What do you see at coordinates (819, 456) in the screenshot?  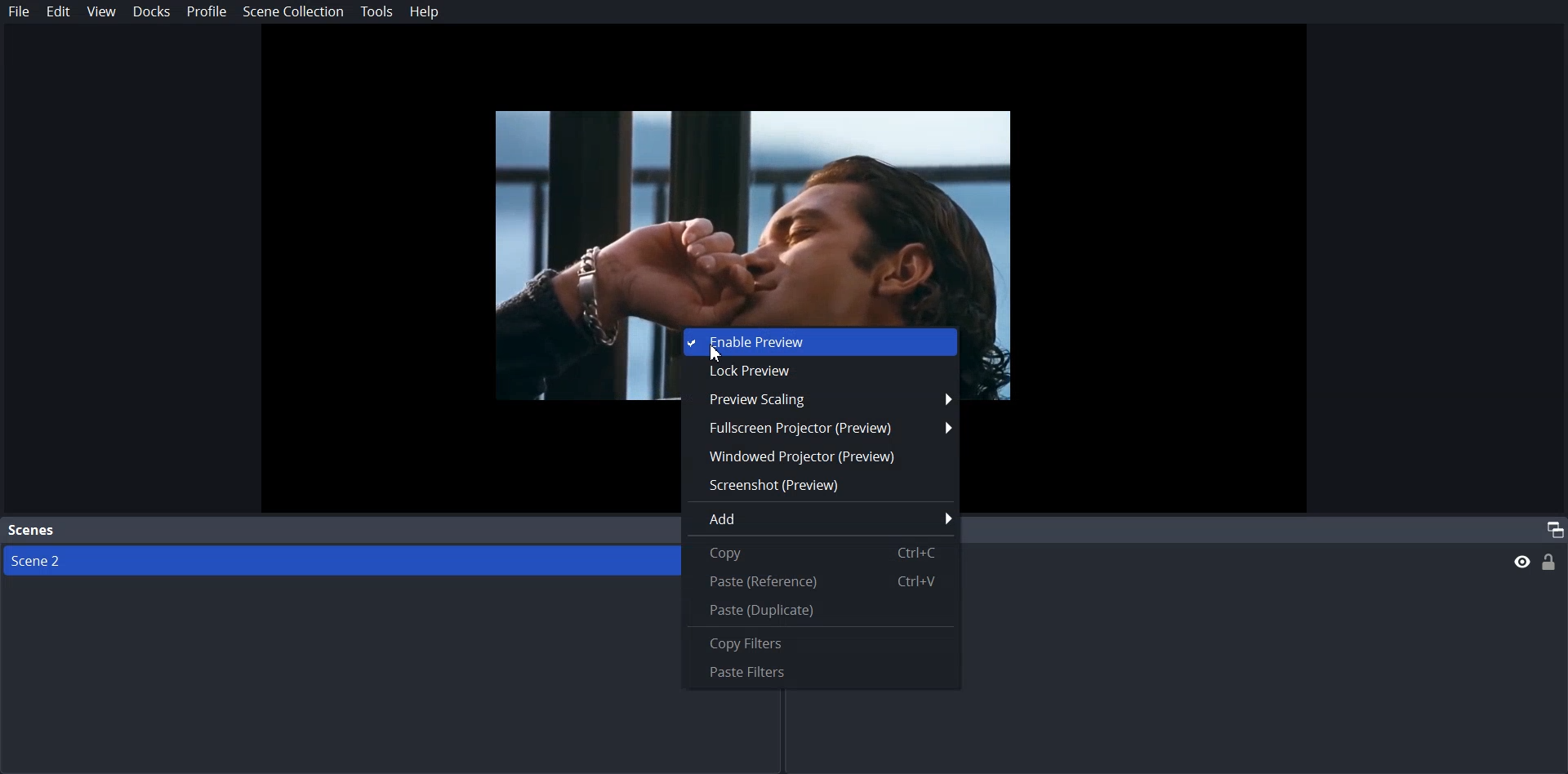 I see `Windowed Projector (Preview)` at bounding box center [819, 456].